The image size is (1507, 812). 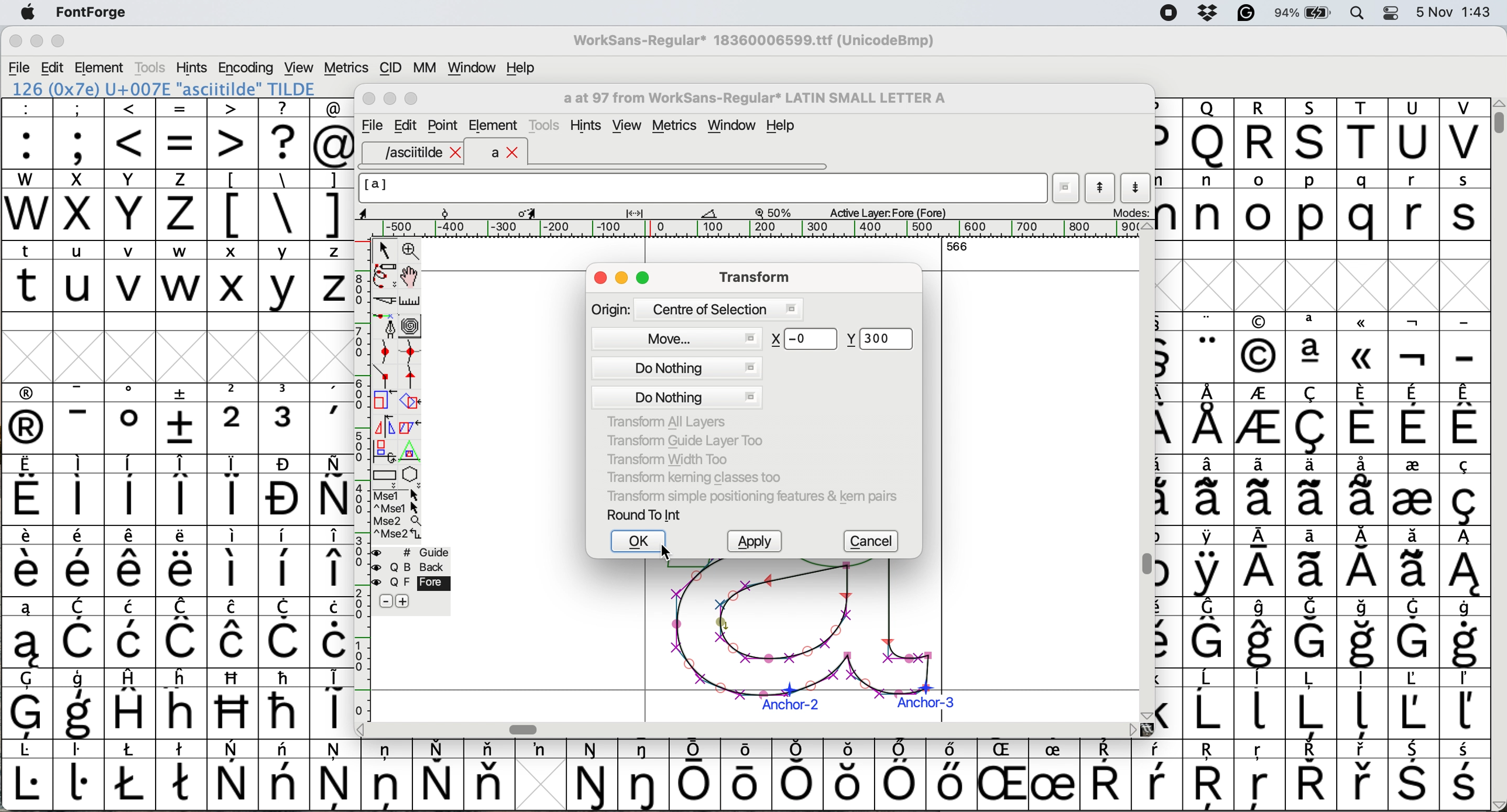 What do you see at coordinates (1313, 419) in the screenshot?
I see `symbol` at bounding box center [1313, 419].